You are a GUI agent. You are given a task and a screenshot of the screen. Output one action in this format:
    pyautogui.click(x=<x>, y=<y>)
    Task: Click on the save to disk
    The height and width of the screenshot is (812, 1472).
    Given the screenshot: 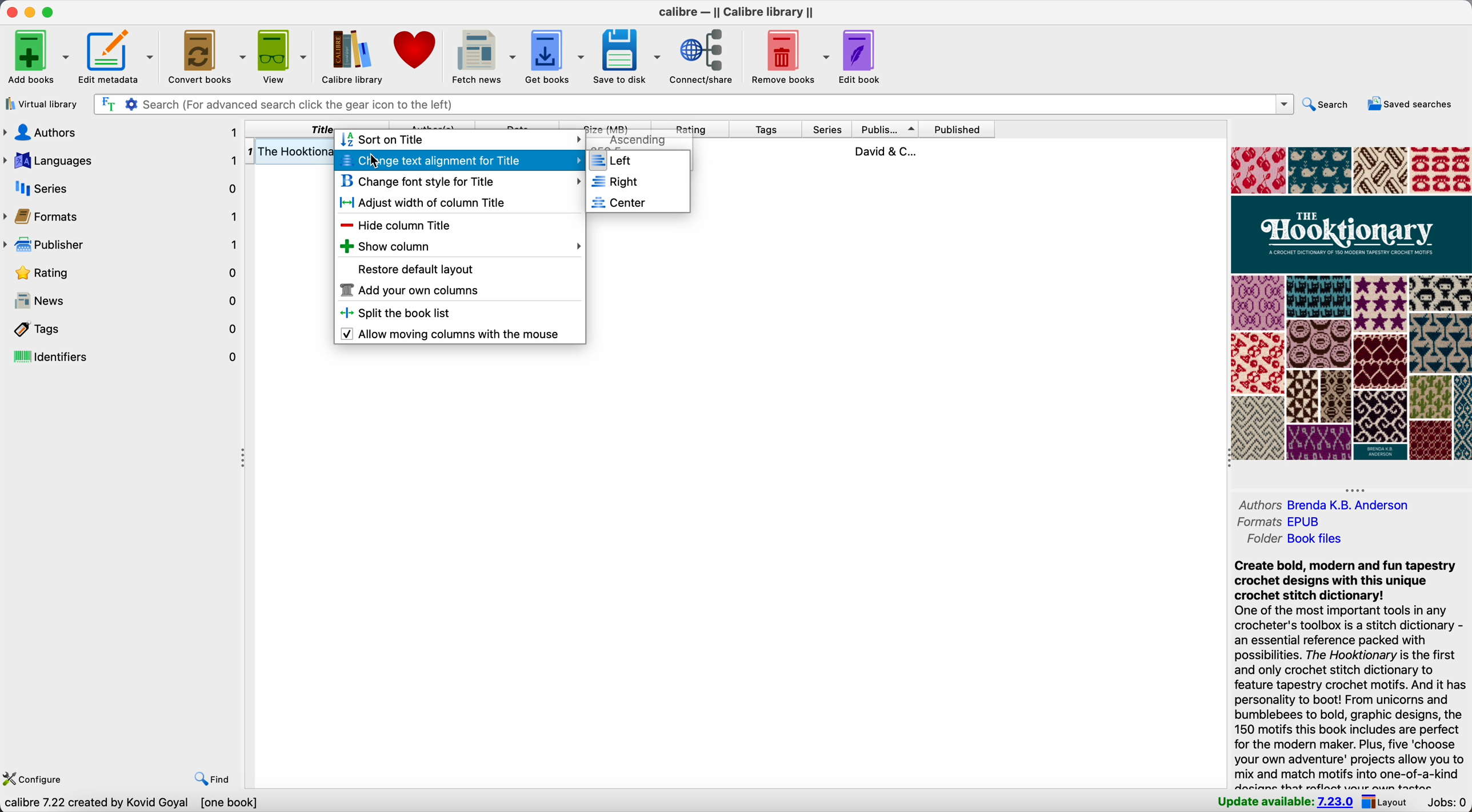 What is the action you would take?
    pyautogui.click(x=627, y=58)
    